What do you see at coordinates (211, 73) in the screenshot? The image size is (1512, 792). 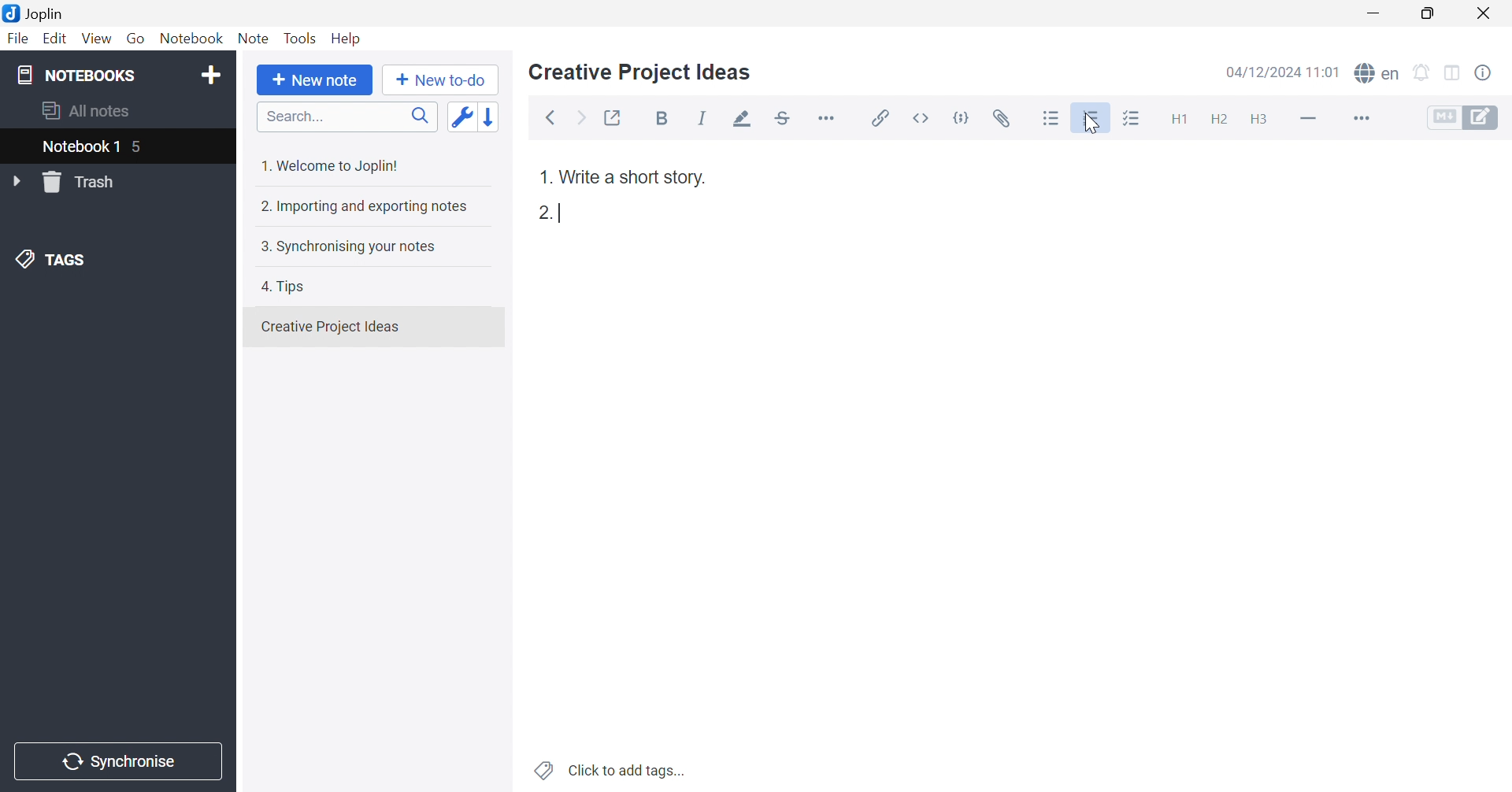 I see `Add notebook` at bounding box center [211, 73].